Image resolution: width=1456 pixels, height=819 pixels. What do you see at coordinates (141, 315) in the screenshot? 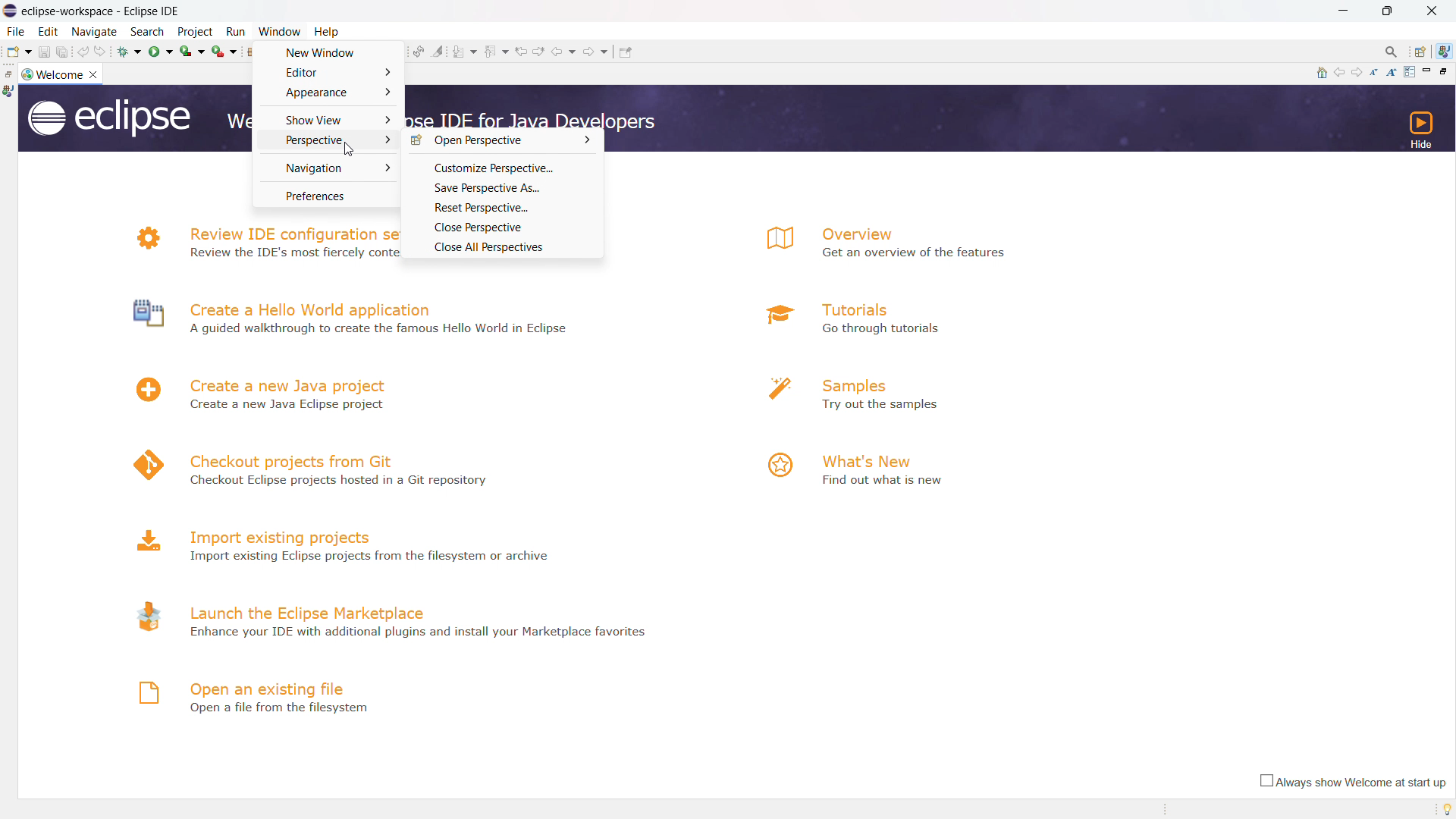
I see `logo` at bounding box center [141, 315].